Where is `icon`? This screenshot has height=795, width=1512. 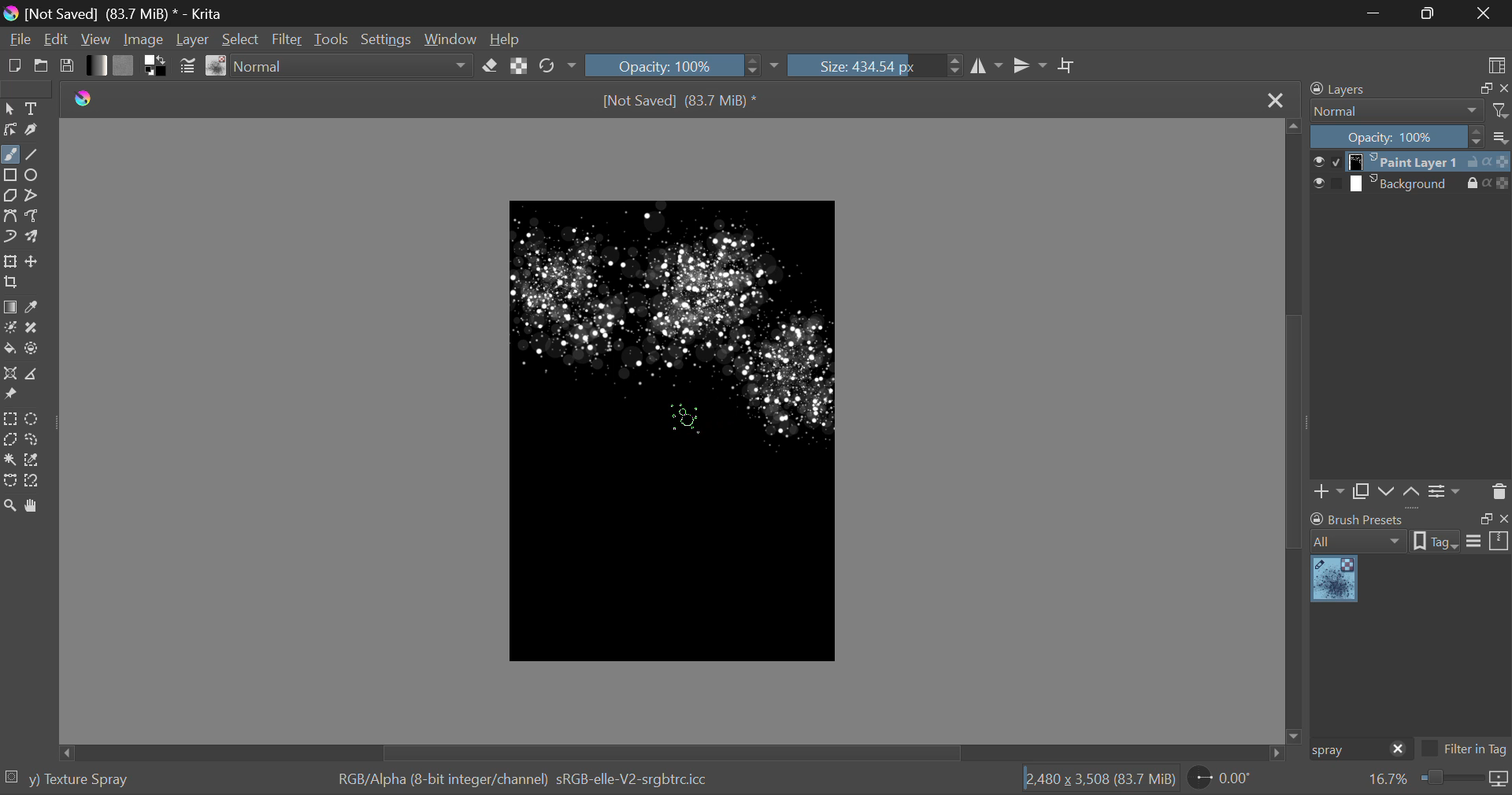
icon is located at coordinates (1499, 780).